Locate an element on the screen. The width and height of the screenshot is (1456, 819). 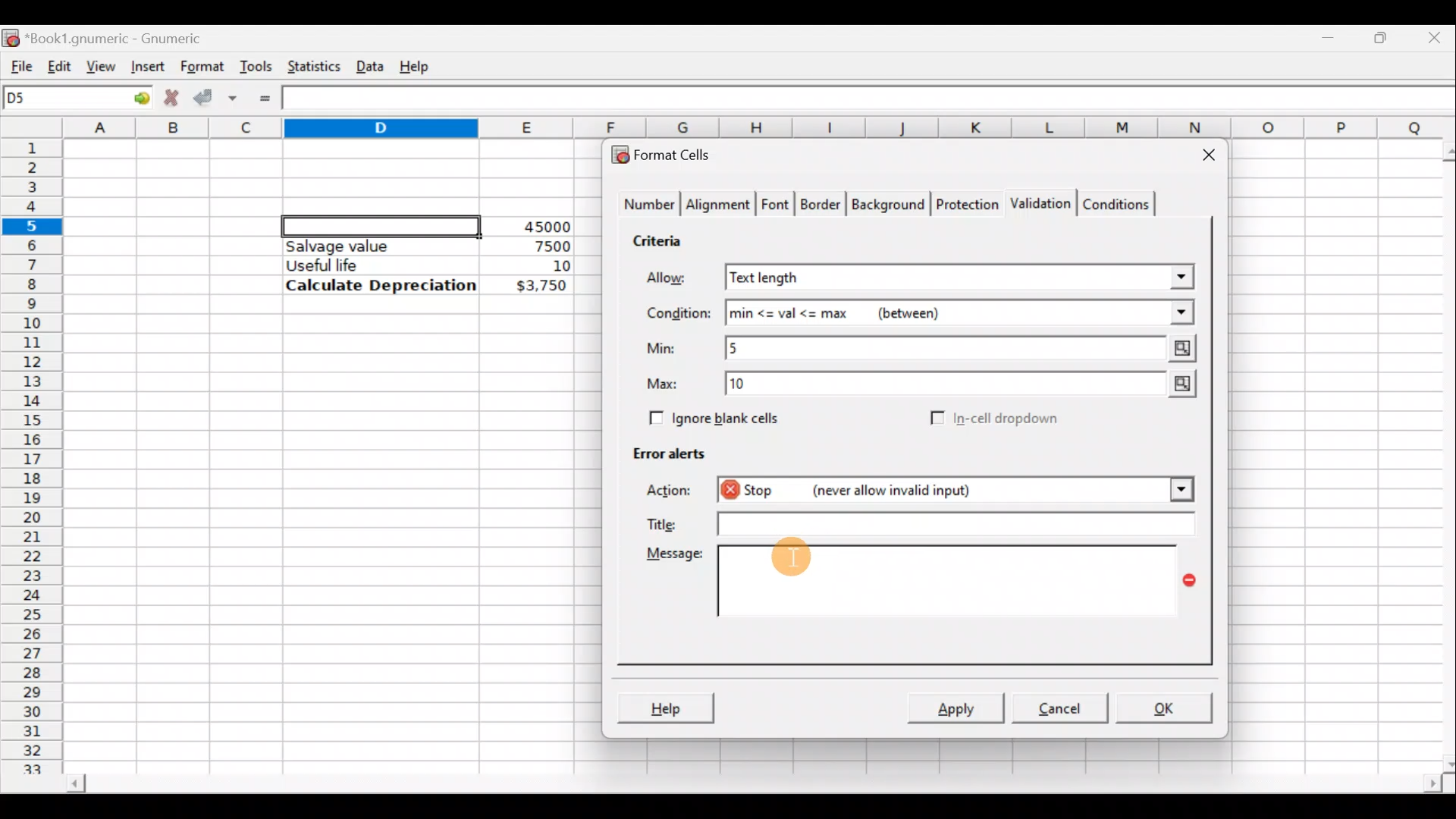
View is located at coordinates (102, 65).